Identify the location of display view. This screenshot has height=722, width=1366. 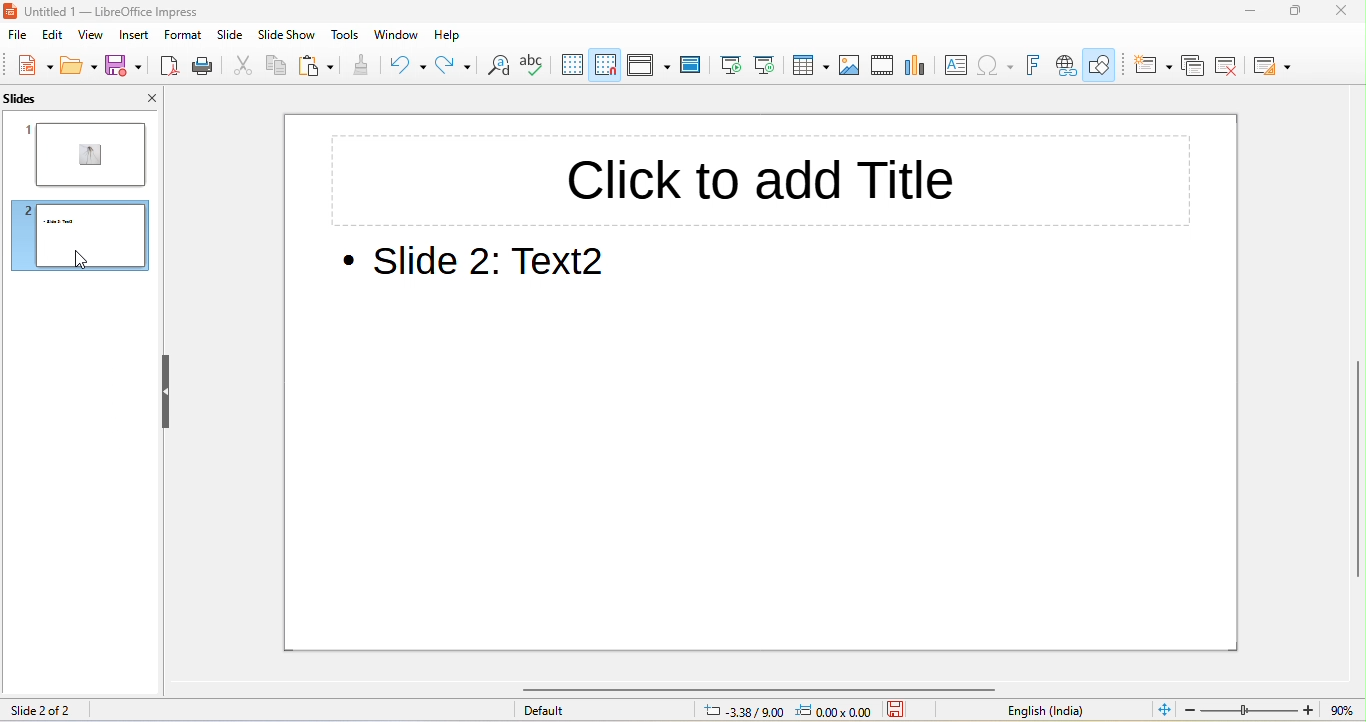
(648, 64).